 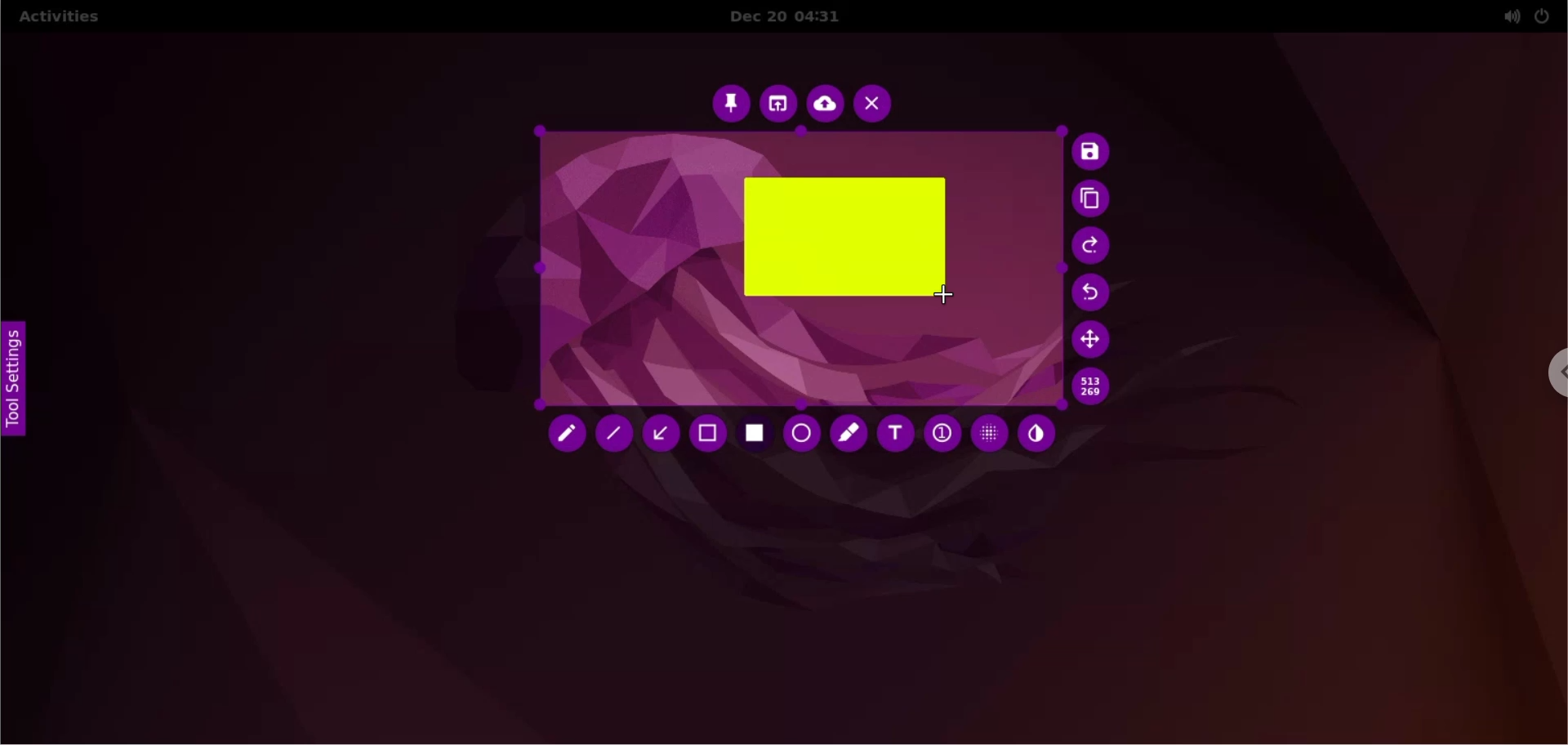 I want to click on choose app to open screenshot, so click(x=777, y=102).